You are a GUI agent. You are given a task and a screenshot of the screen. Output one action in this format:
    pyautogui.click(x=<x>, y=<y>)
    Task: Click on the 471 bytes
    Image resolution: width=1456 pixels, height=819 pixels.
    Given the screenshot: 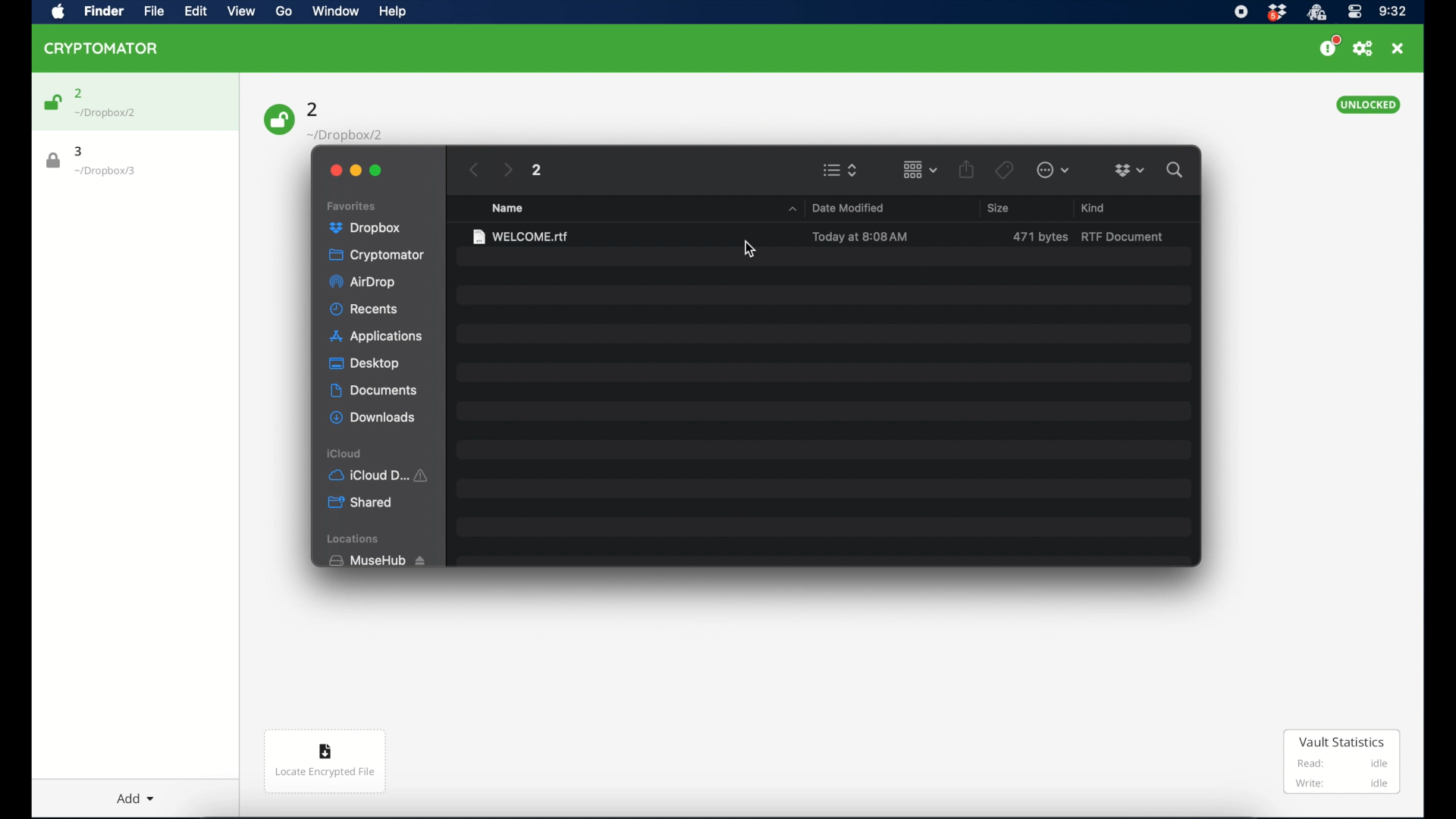 What is the action you would take?
    pyautogui.click(x=1040, y=237)
    